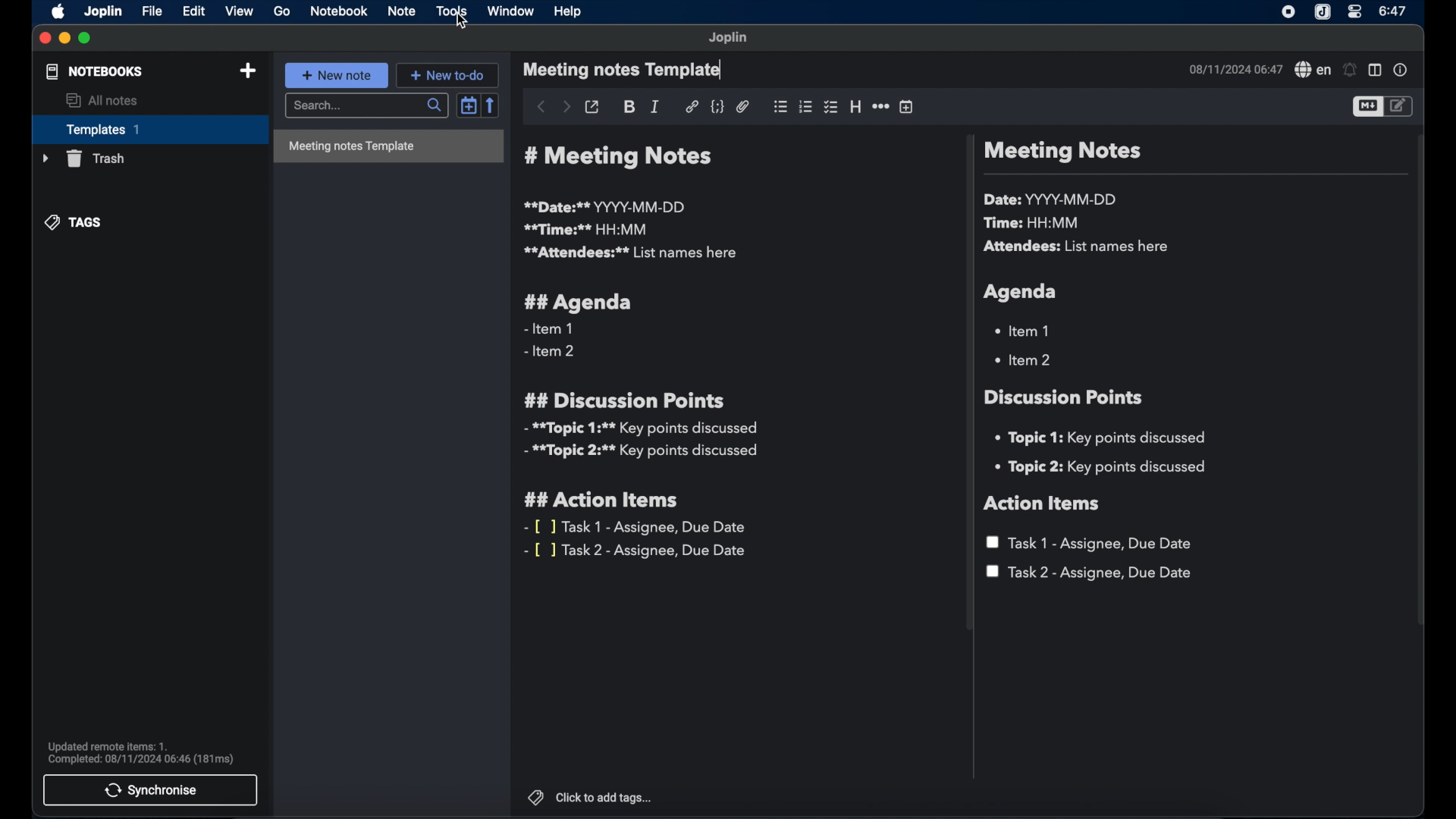 The image size is (1456, 819). I want to click on 08/11/2024 06:47, so click(1234, 69).